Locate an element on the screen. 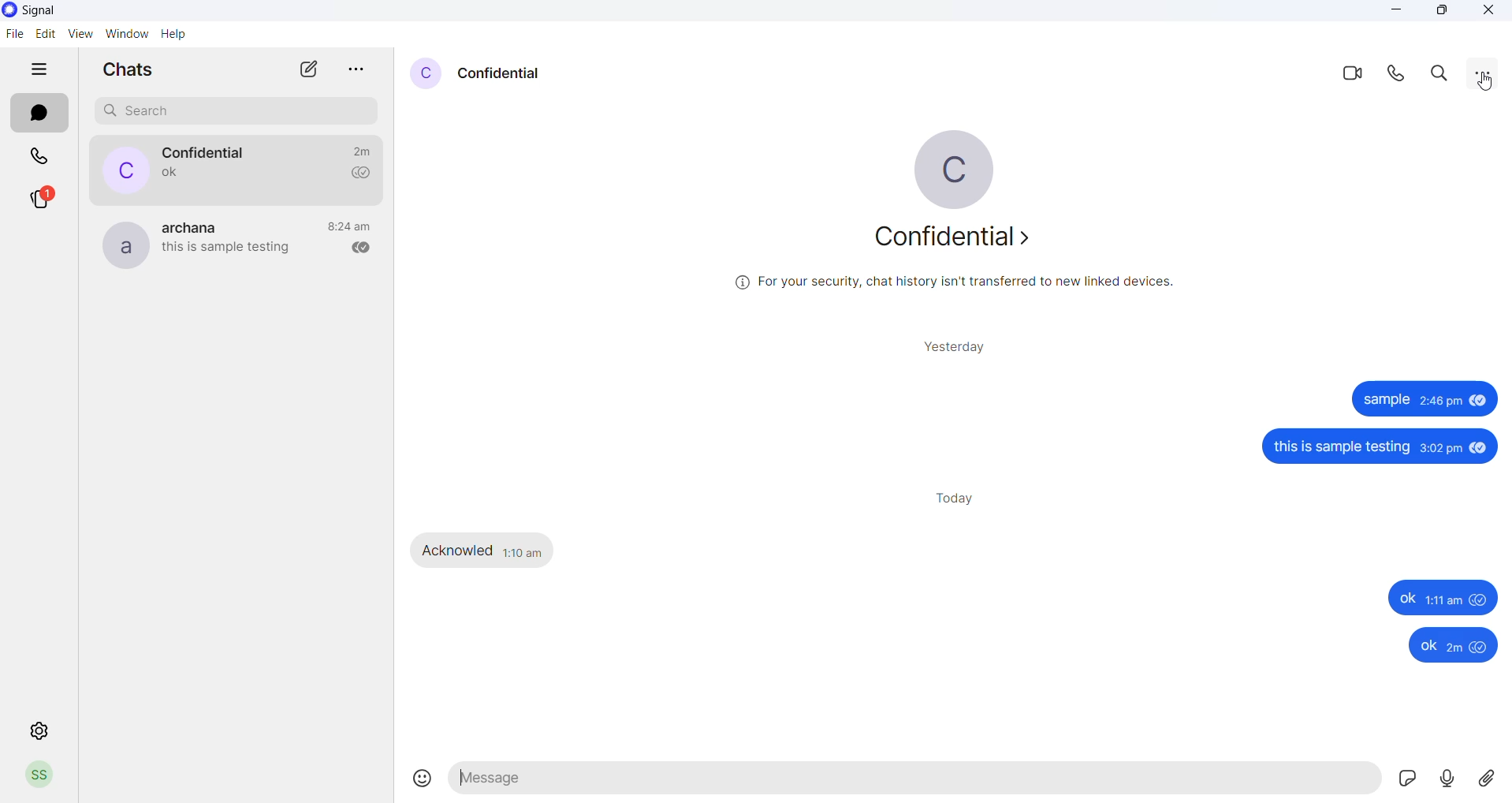 The height and width of the screenshot is (803, 1512). help is located at coordinates (172, 33).